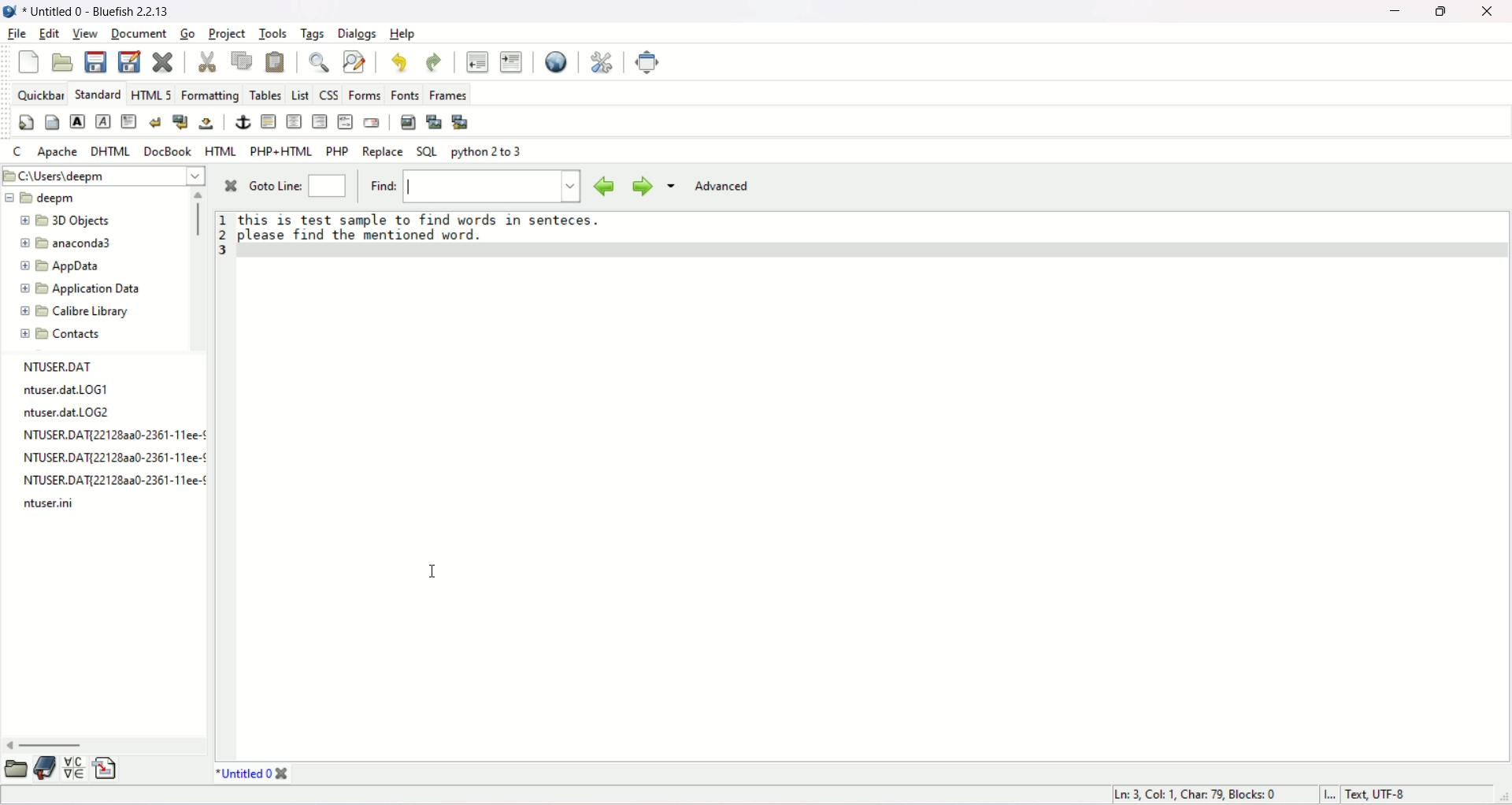 The width and height of the screenshot is (1512, 805). What do you see at coordinates (435, 61) in the screenshot?
I see `redo` at bounding box center [435, 61].